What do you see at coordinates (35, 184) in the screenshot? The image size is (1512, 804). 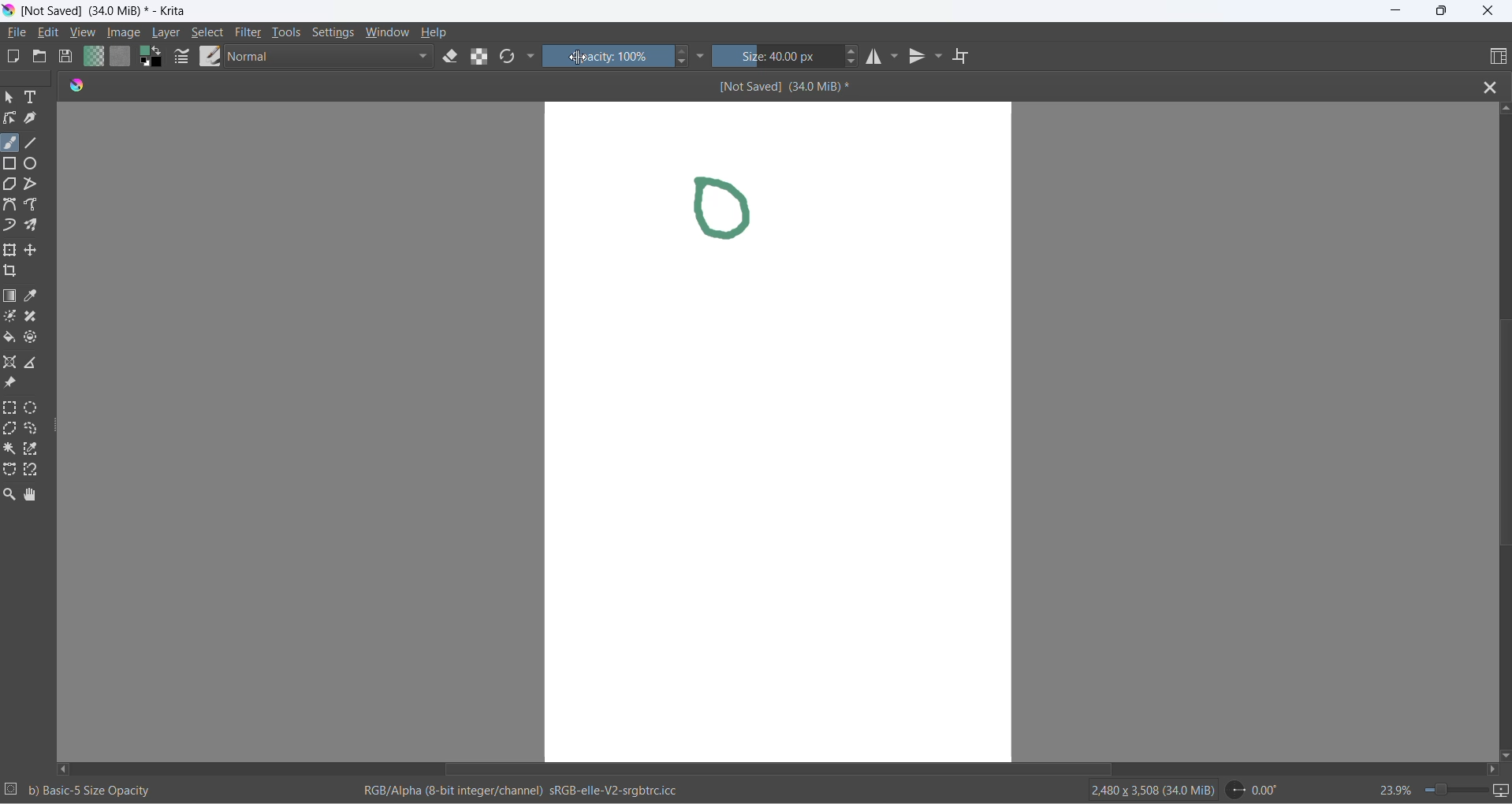 I see `polyline tool` at bounding box center [35, 184].